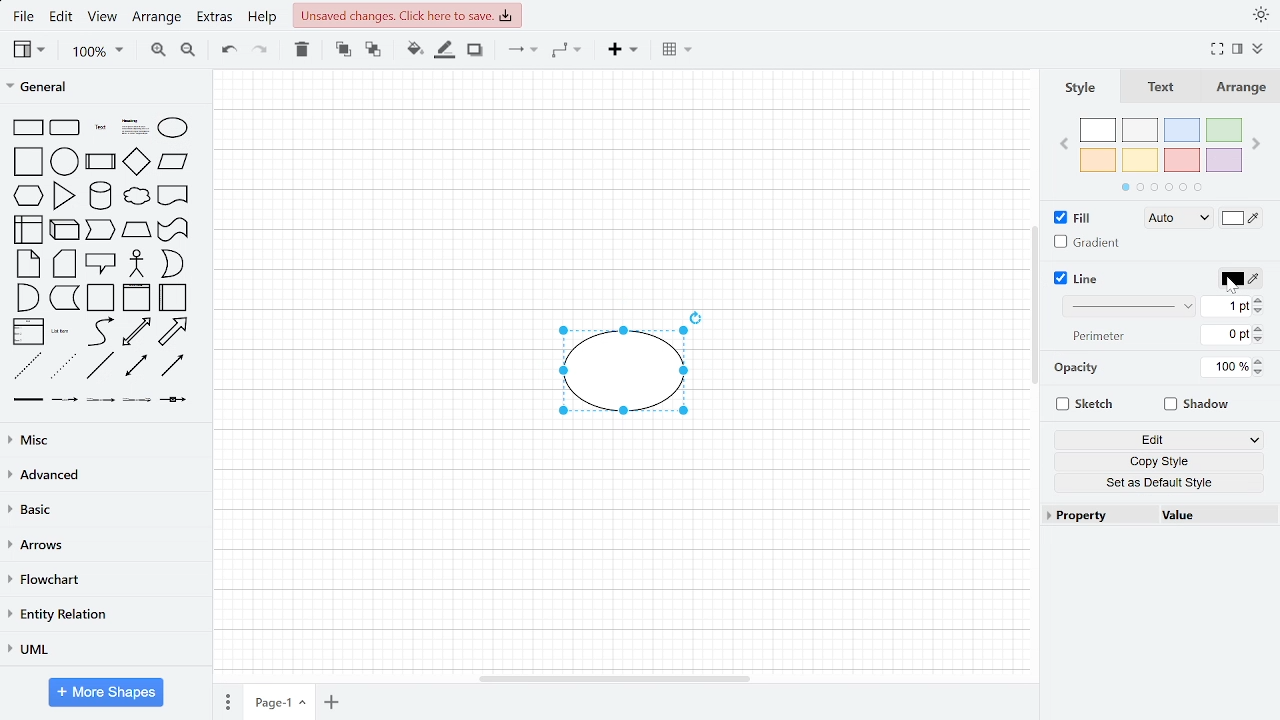 Image resolution: width=1280 pixels, height=720 pixels. Describe the element at coordinates (374, 50) in the screenshot. I see `to back` at that location.